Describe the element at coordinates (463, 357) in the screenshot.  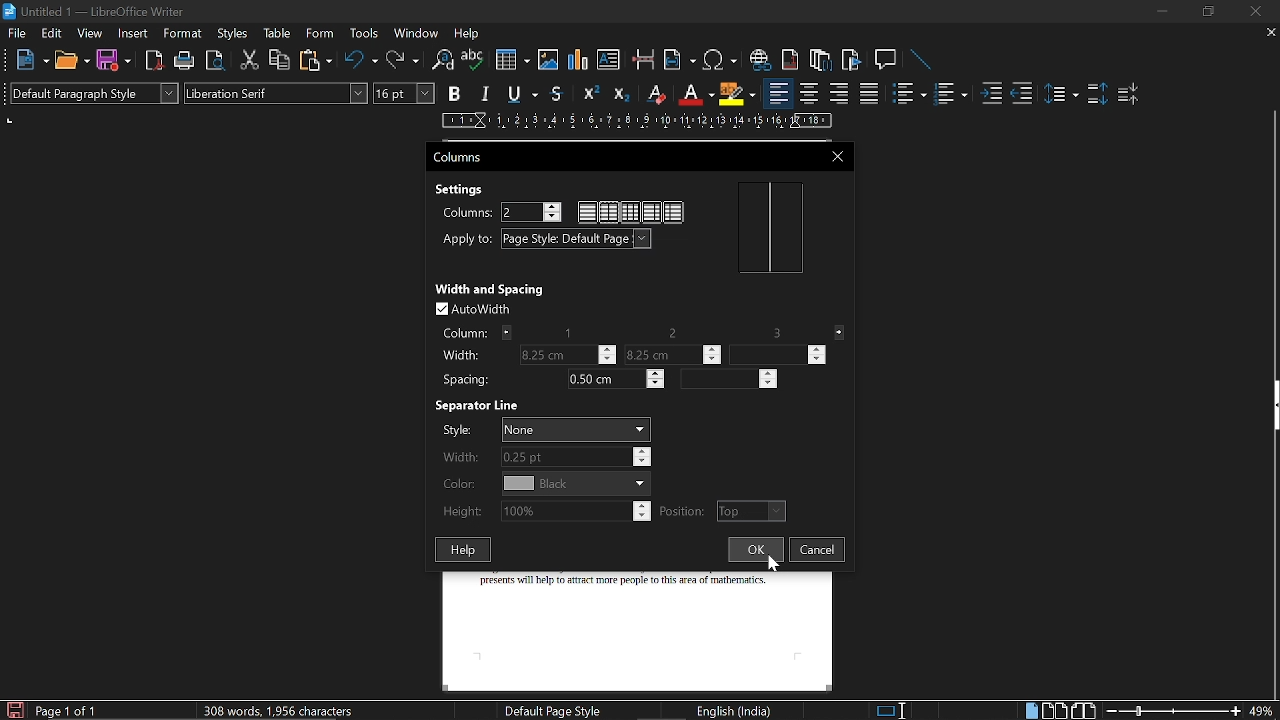
I see `Width` at that location.